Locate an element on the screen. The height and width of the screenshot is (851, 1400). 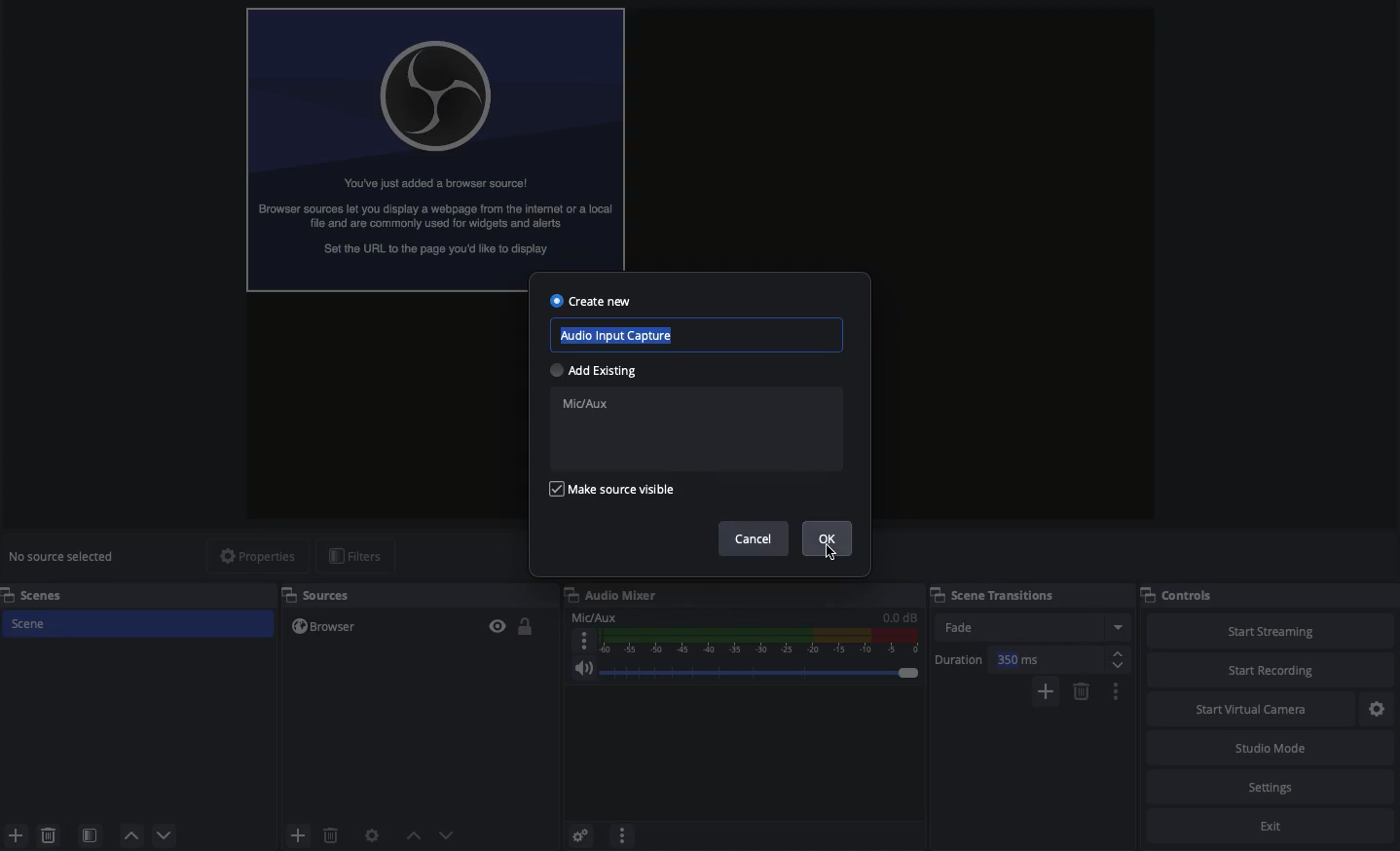
Filters is located at coordinates (358, 556).